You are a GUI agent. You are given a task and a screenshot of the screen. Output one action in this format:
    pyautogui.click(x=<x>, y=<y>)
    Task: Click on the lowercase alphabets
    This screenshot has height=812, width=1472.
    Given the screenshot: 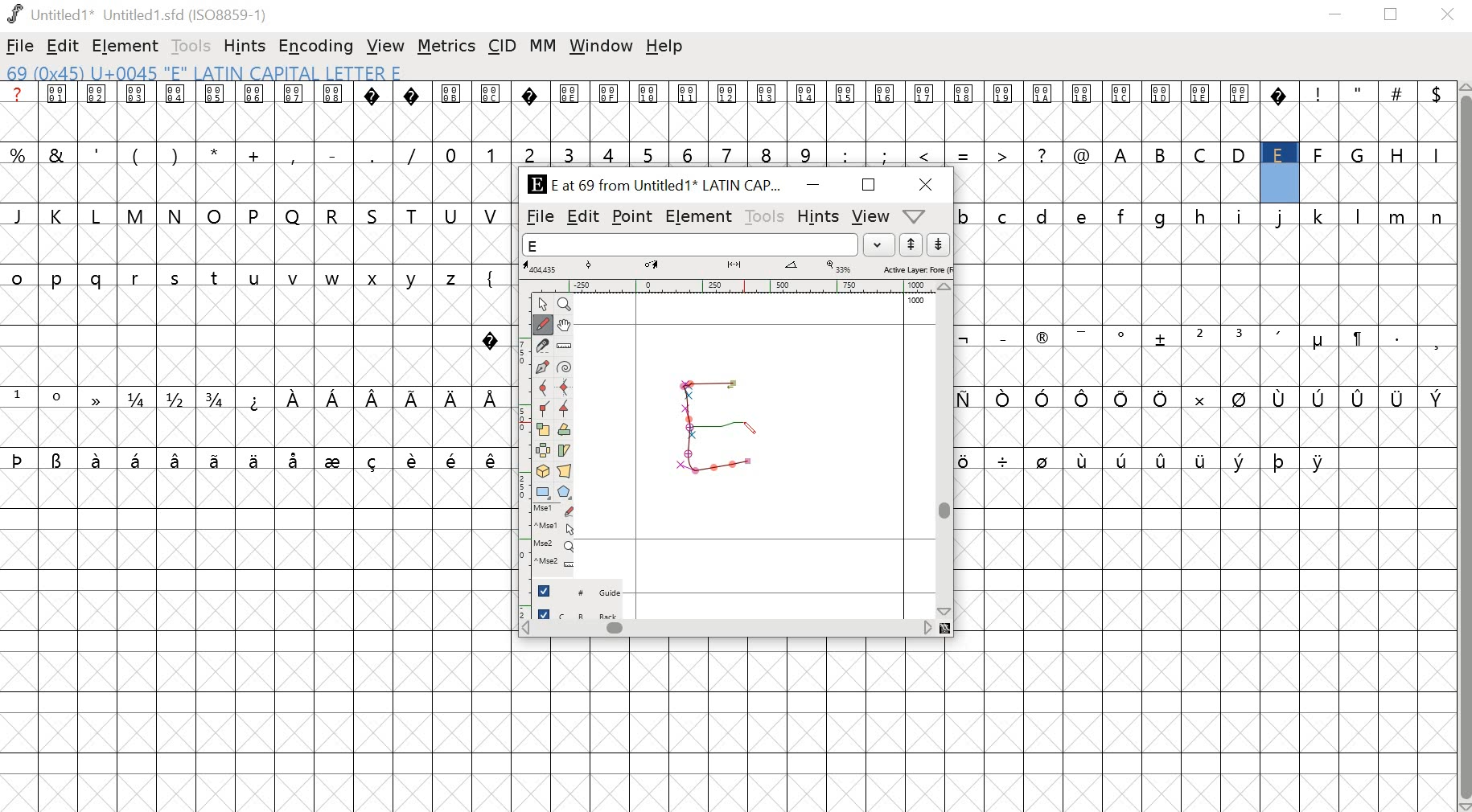 What is the action you would take?
    pyautogui.click(x=1205, y=215)
    